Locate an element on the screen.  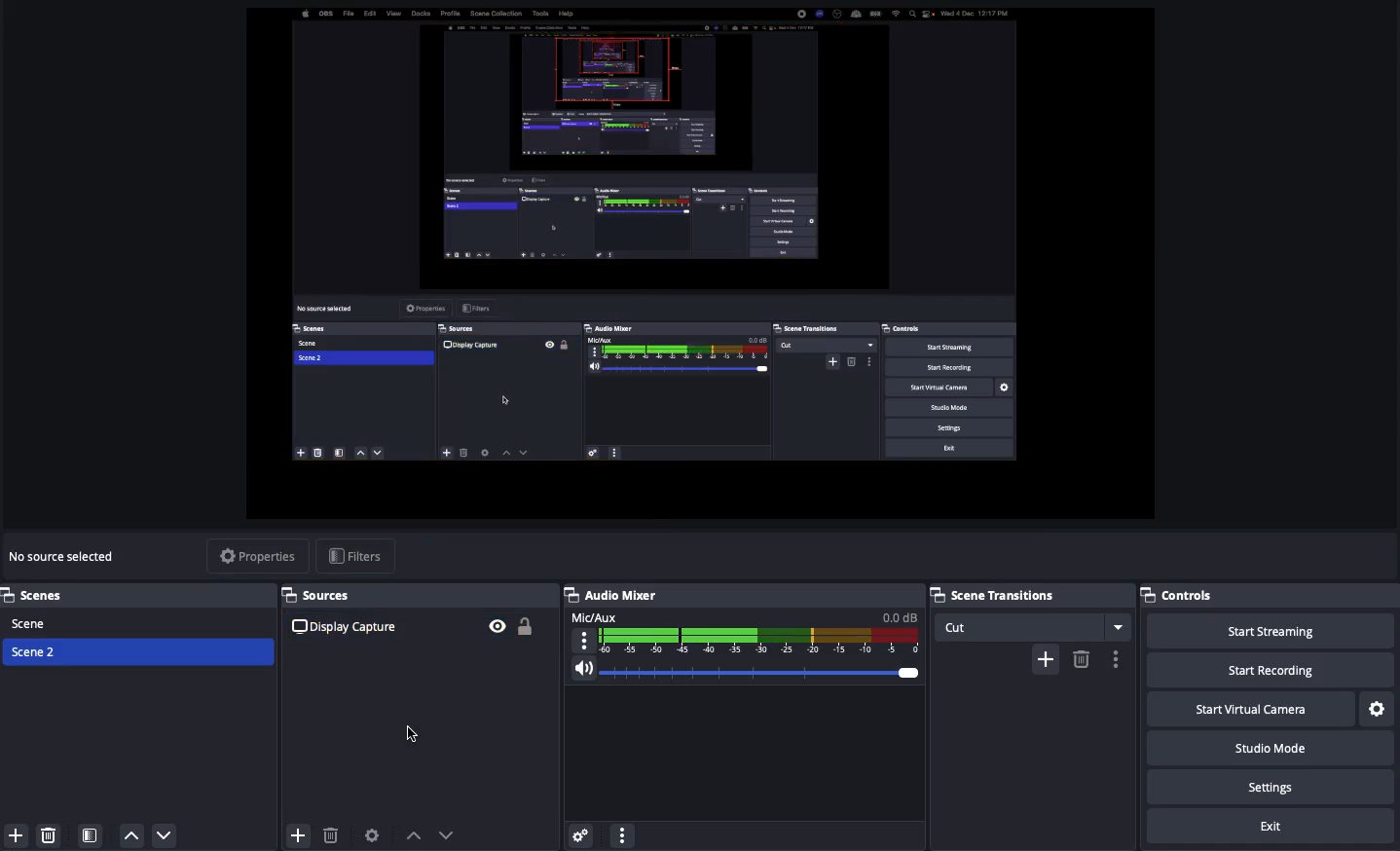
Scene 2 is located at coordinates (35, 650).